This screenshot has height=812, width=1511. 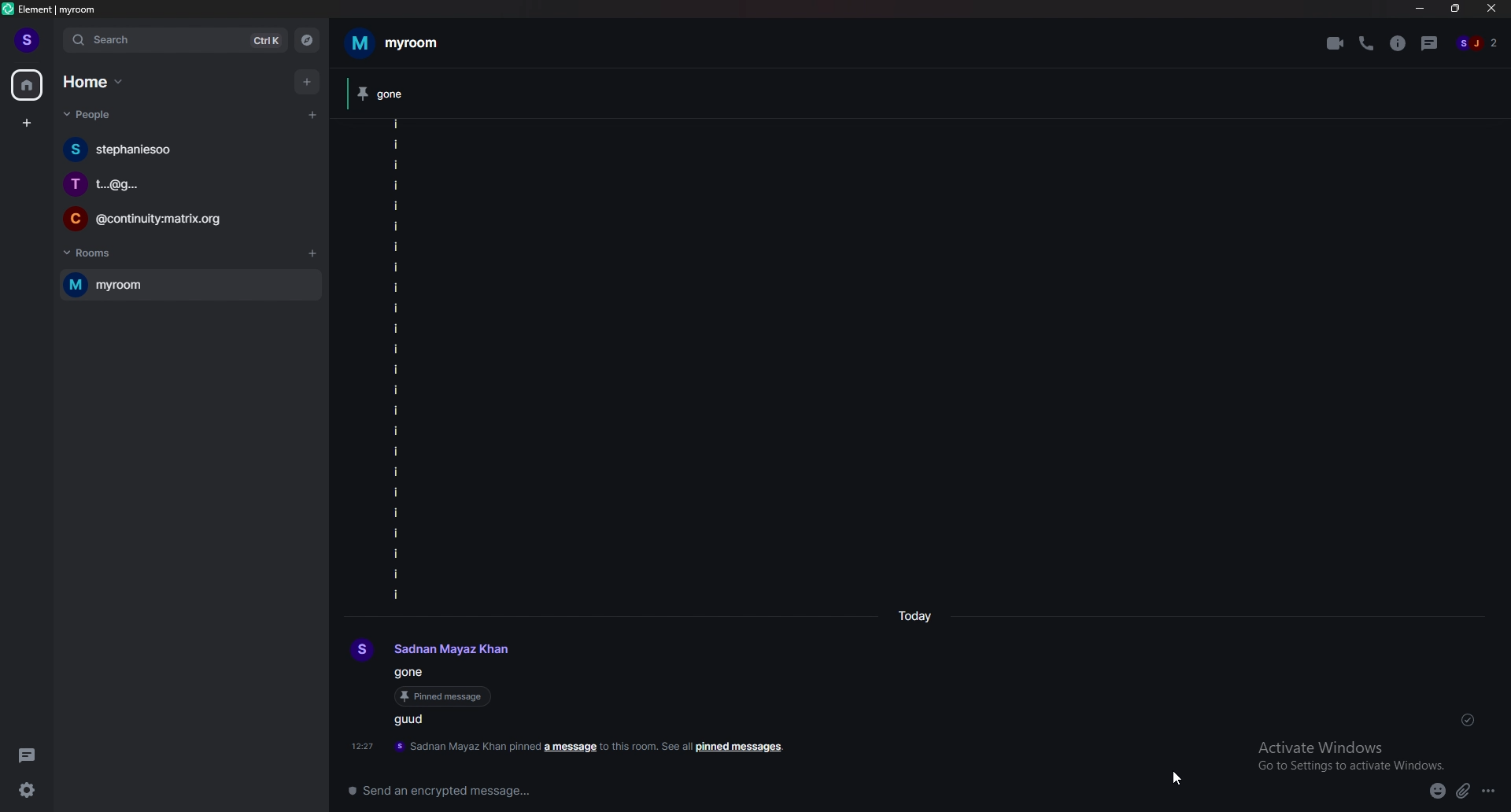 What do you see at coordinates (188, 149) in the screenshot?
I see `chat` at bounding box center [188, 149].